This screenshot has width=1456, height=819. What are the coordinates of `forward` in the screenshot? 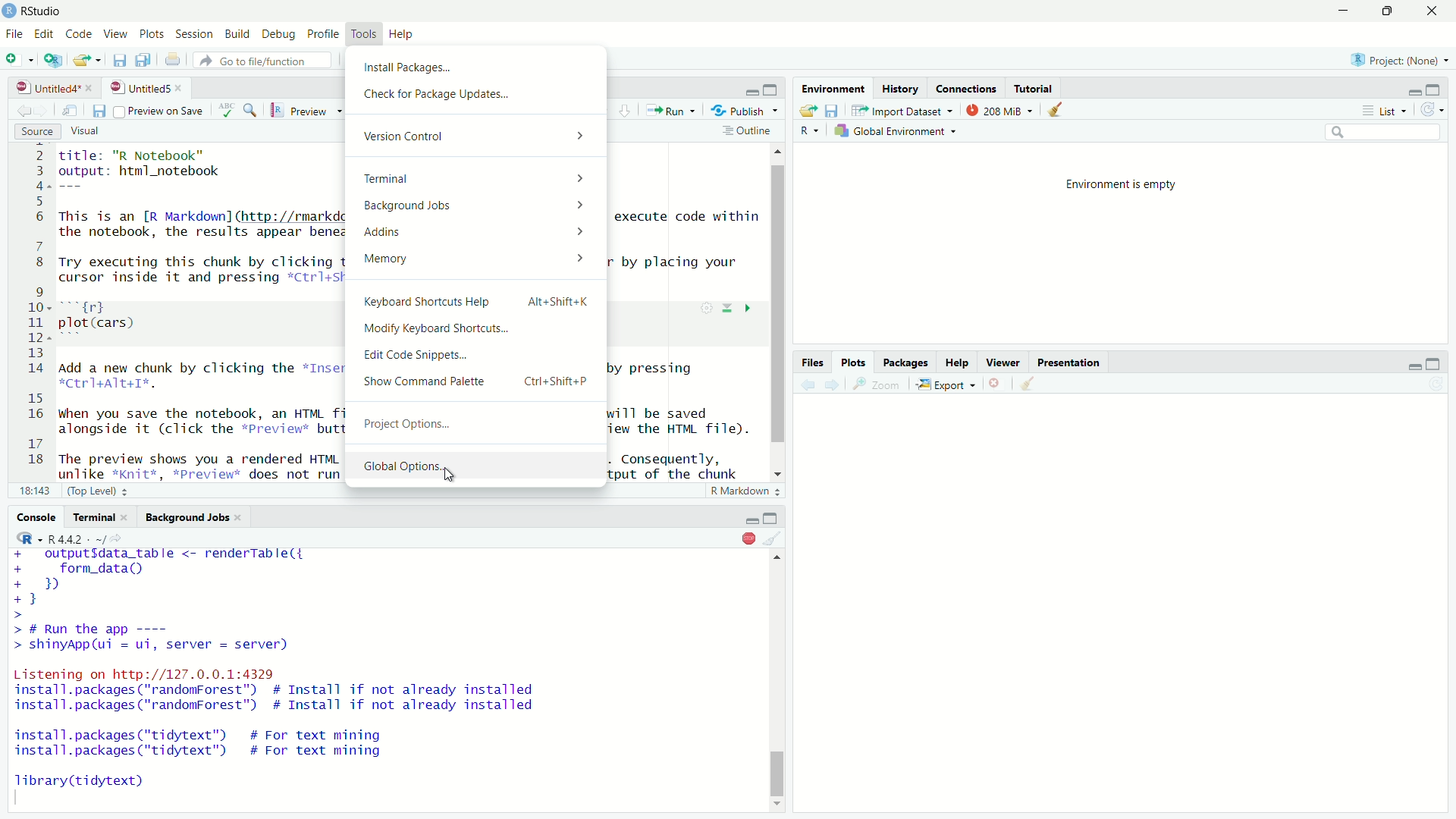 It's located at (749, 308).